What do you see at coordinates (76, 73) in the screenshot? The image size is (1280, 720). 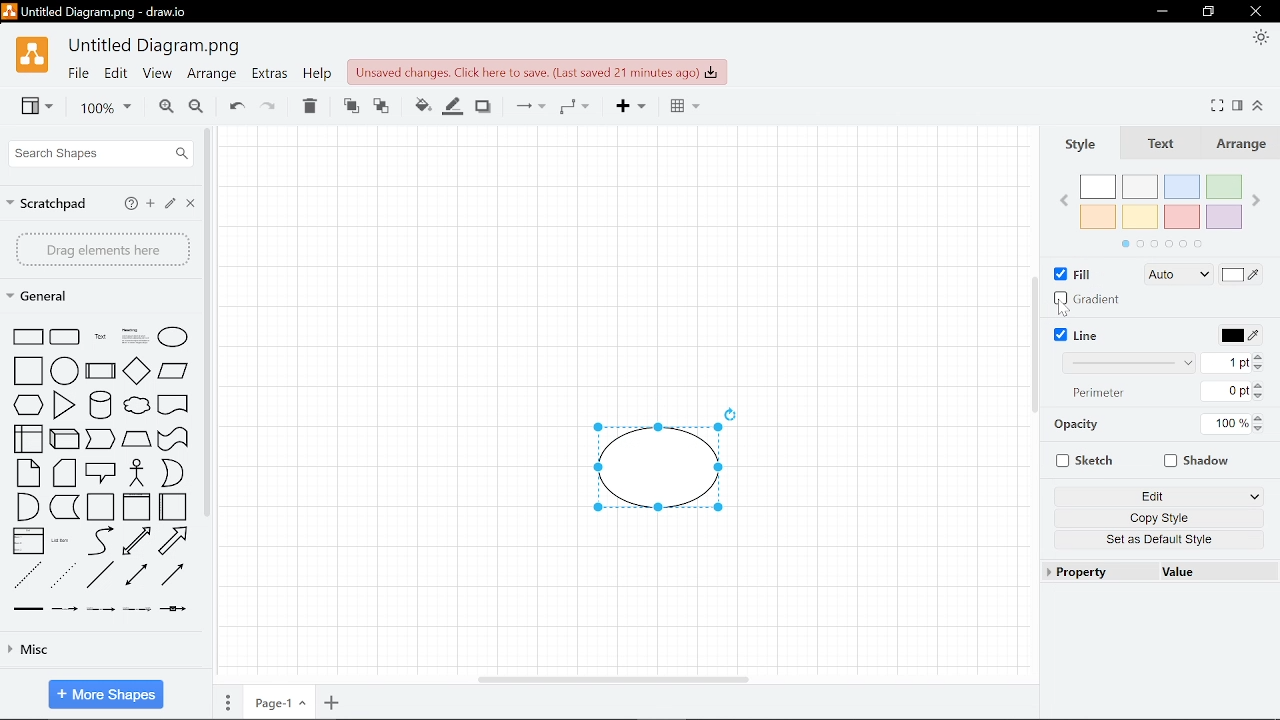 I see `File` at bounding box center [76, 73].